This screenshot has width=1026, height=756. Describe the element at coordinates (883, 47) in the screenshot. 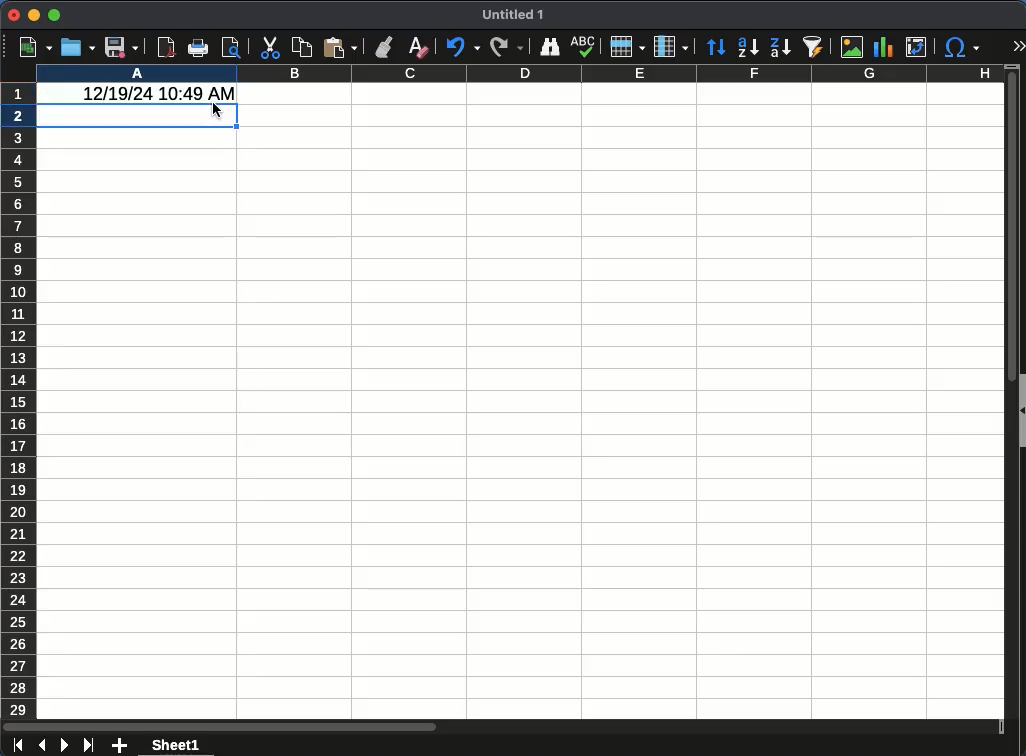

I see `chart` at that location.